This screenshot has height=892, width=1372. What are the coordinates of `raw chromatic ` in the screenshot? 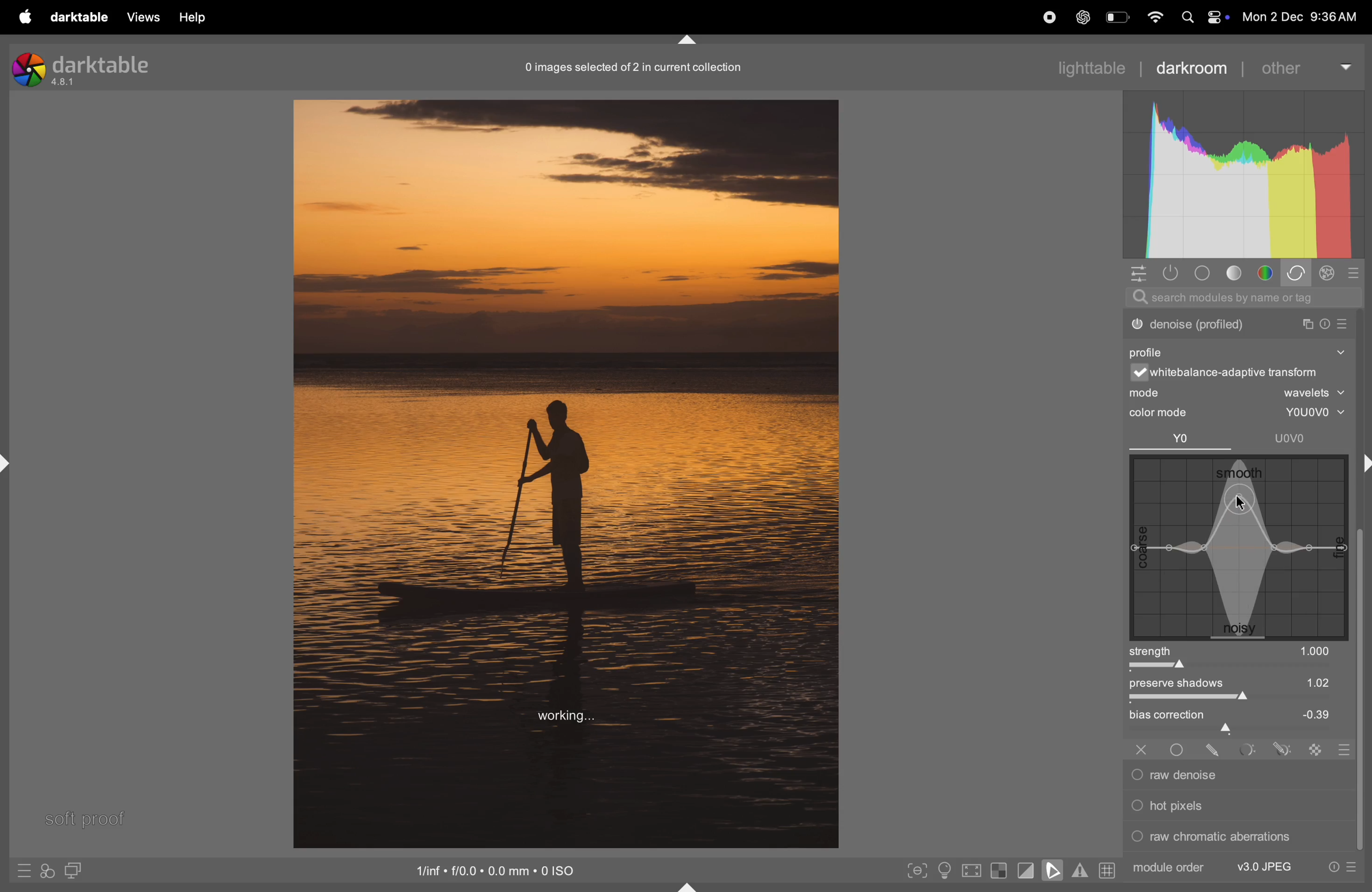 It's located at (1236, 840).